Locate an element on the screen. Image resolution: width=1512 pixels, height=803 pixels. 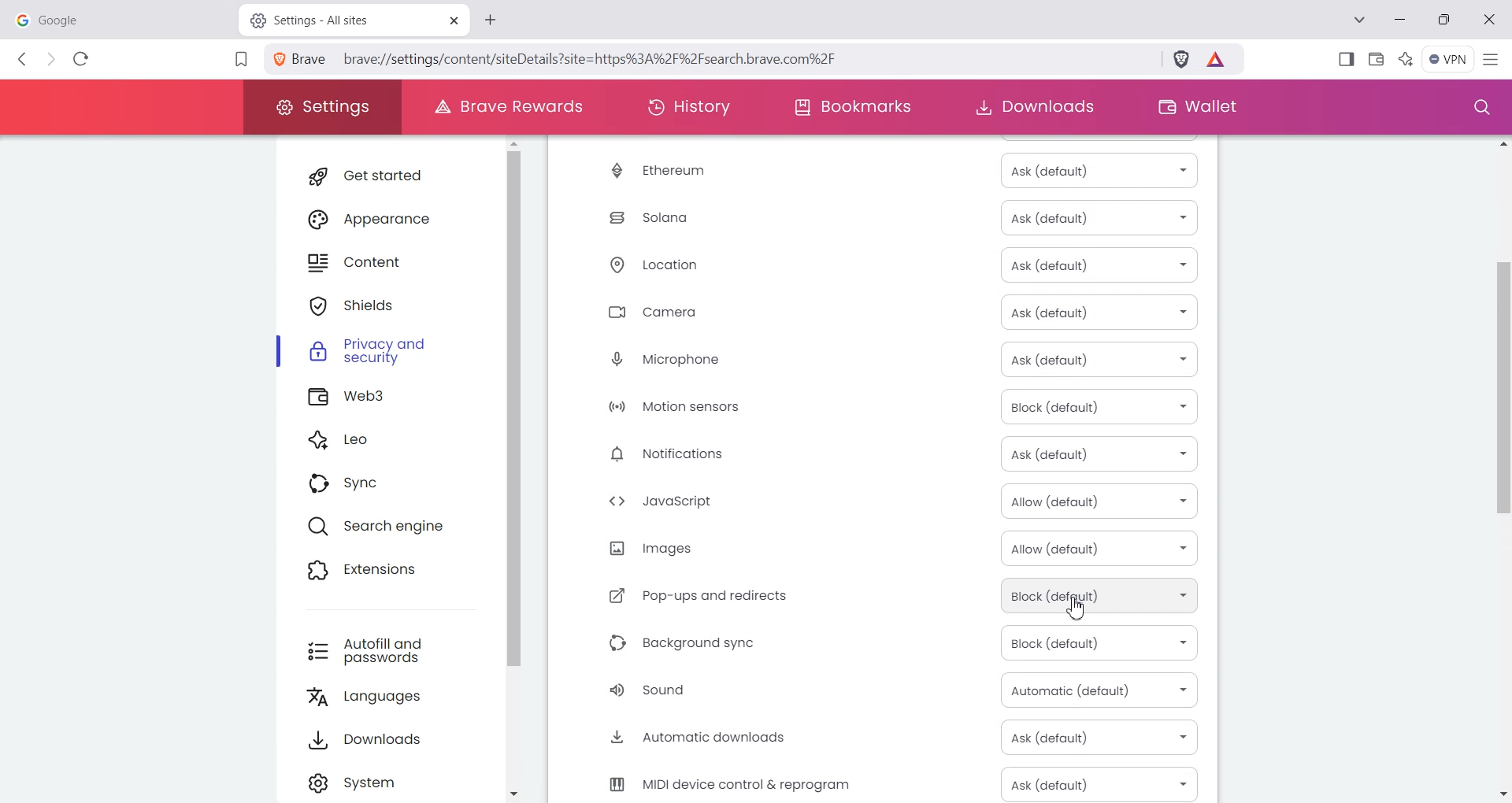
Bookmarks is located at coordinates (852, 108).